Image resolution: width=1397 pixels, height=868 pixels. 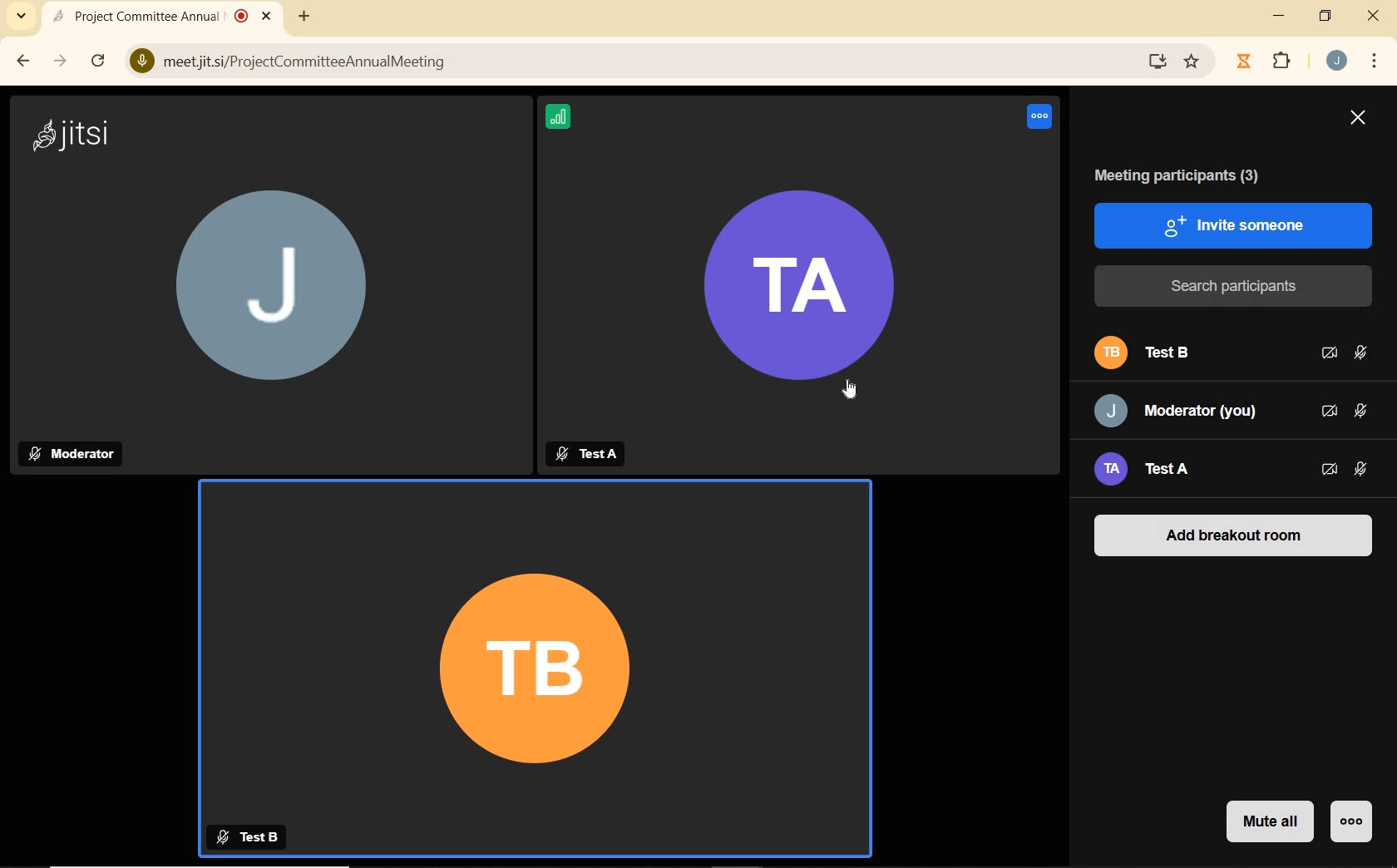 I want to click on ) meetjitsi/ProjectCommitteeAnnualMeeting, so click(x=632, y=65).